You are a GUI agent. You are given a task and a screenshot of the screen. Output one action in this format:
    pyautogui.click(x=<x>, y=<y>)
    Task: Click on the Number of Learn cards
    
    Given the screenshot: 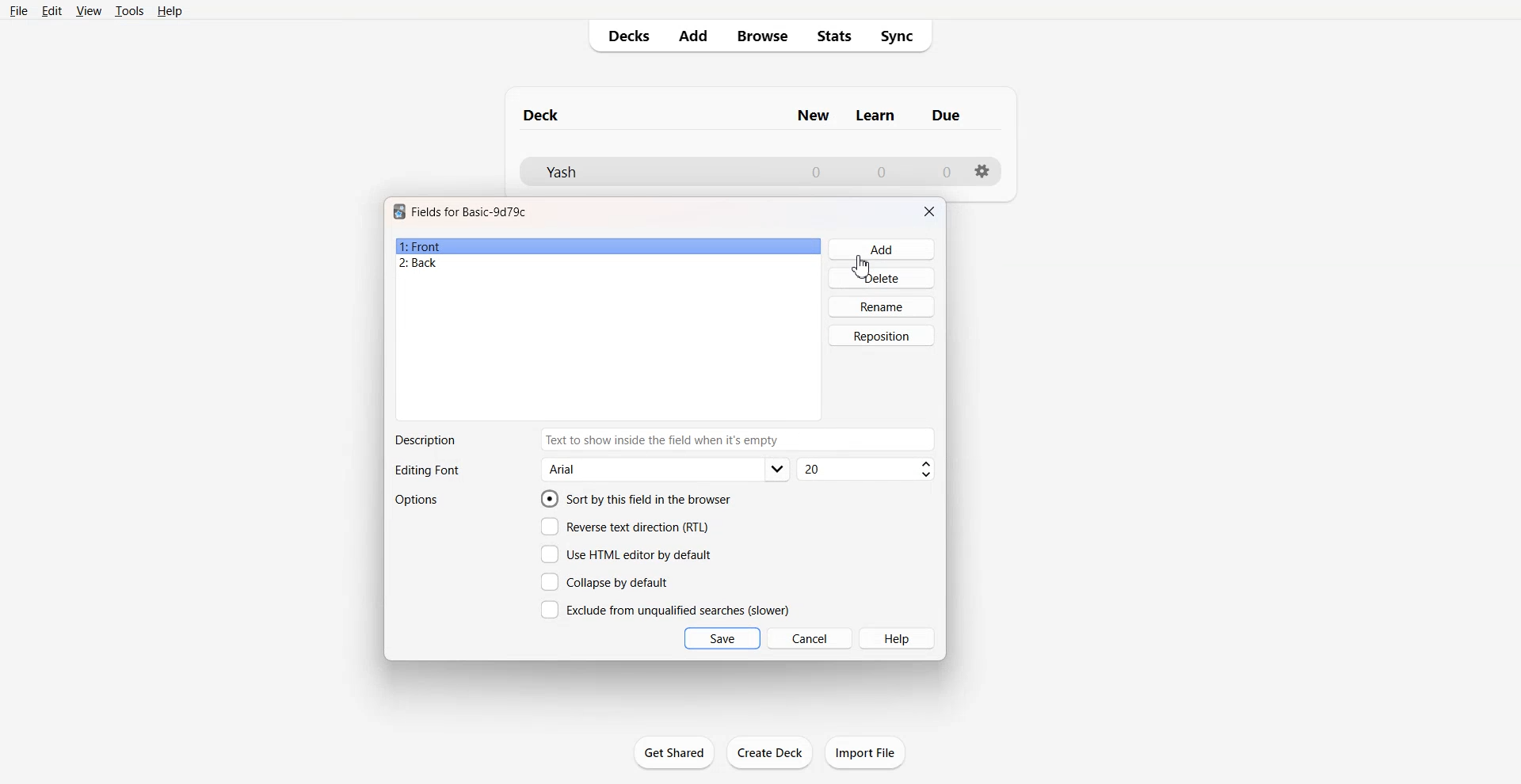 What is the action you would take?
    pyautogui.click(x=882, y=171)
    